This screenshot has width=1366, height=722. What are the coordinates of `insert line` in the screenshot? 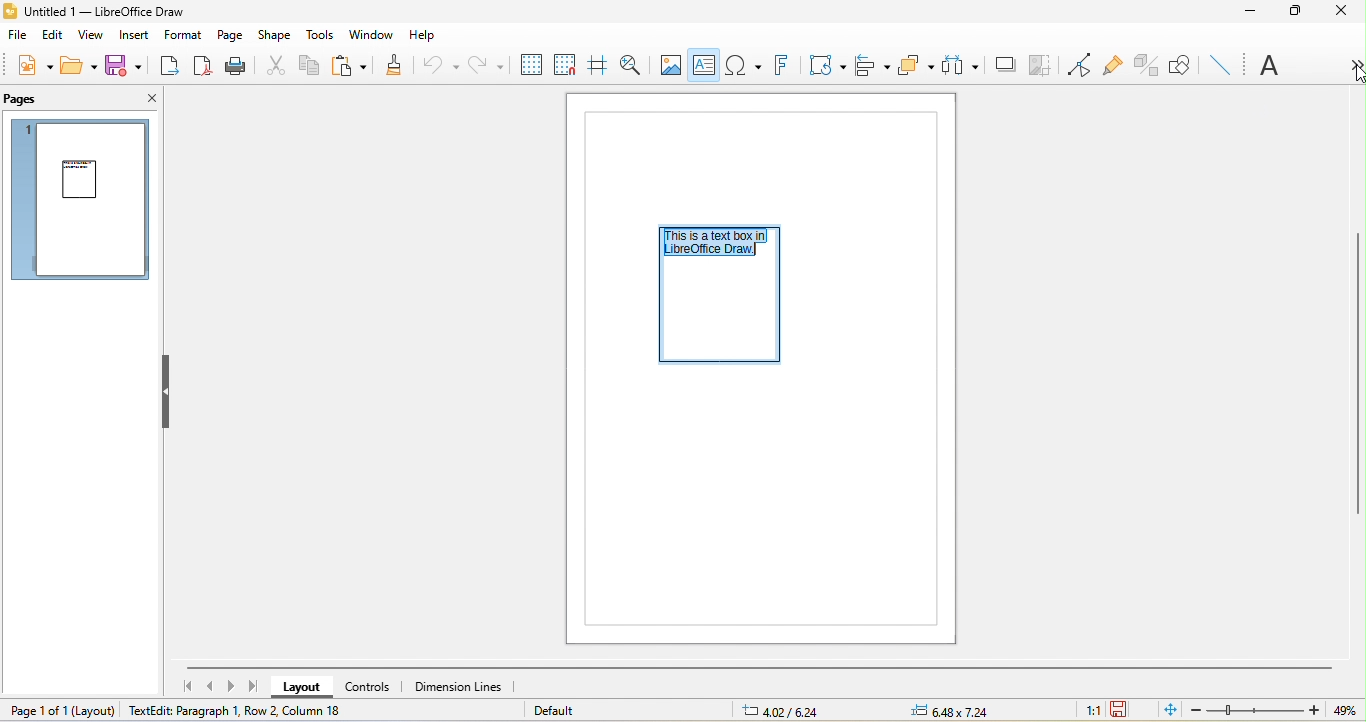 It's located at (1226, 66).